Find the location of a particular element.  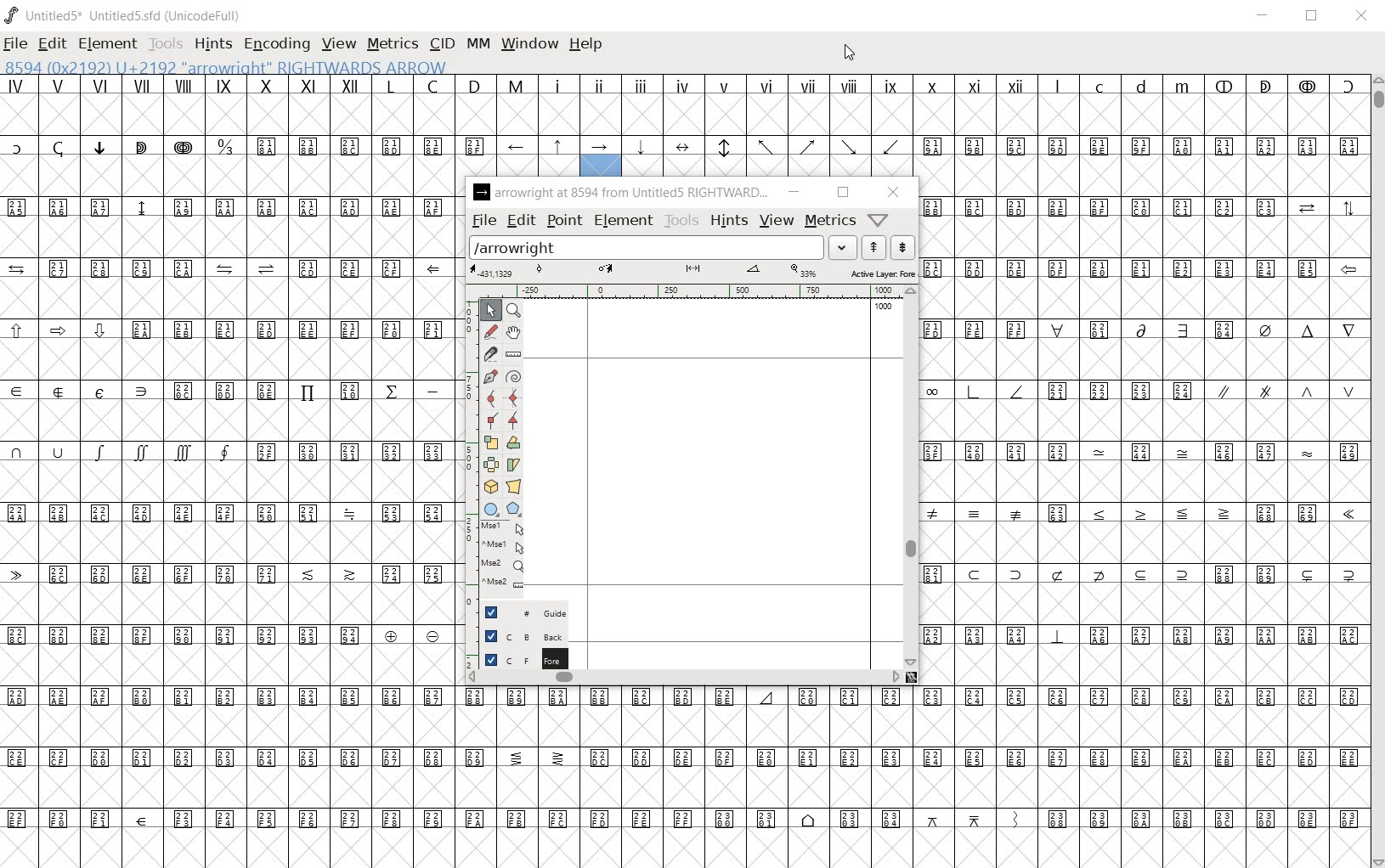

flip the selection is located at coordinates (491, 465).